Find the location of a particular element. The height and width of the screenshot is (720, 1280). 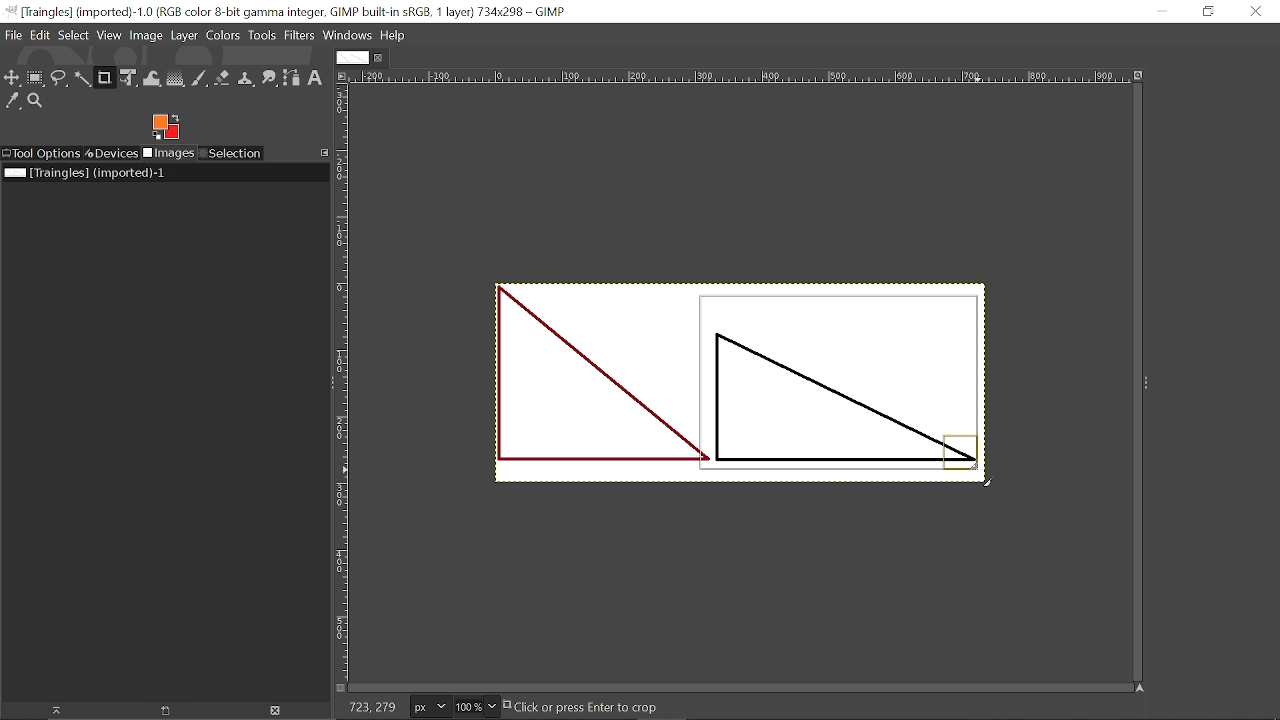

Raise this image display is located at coordinates (54, 710).